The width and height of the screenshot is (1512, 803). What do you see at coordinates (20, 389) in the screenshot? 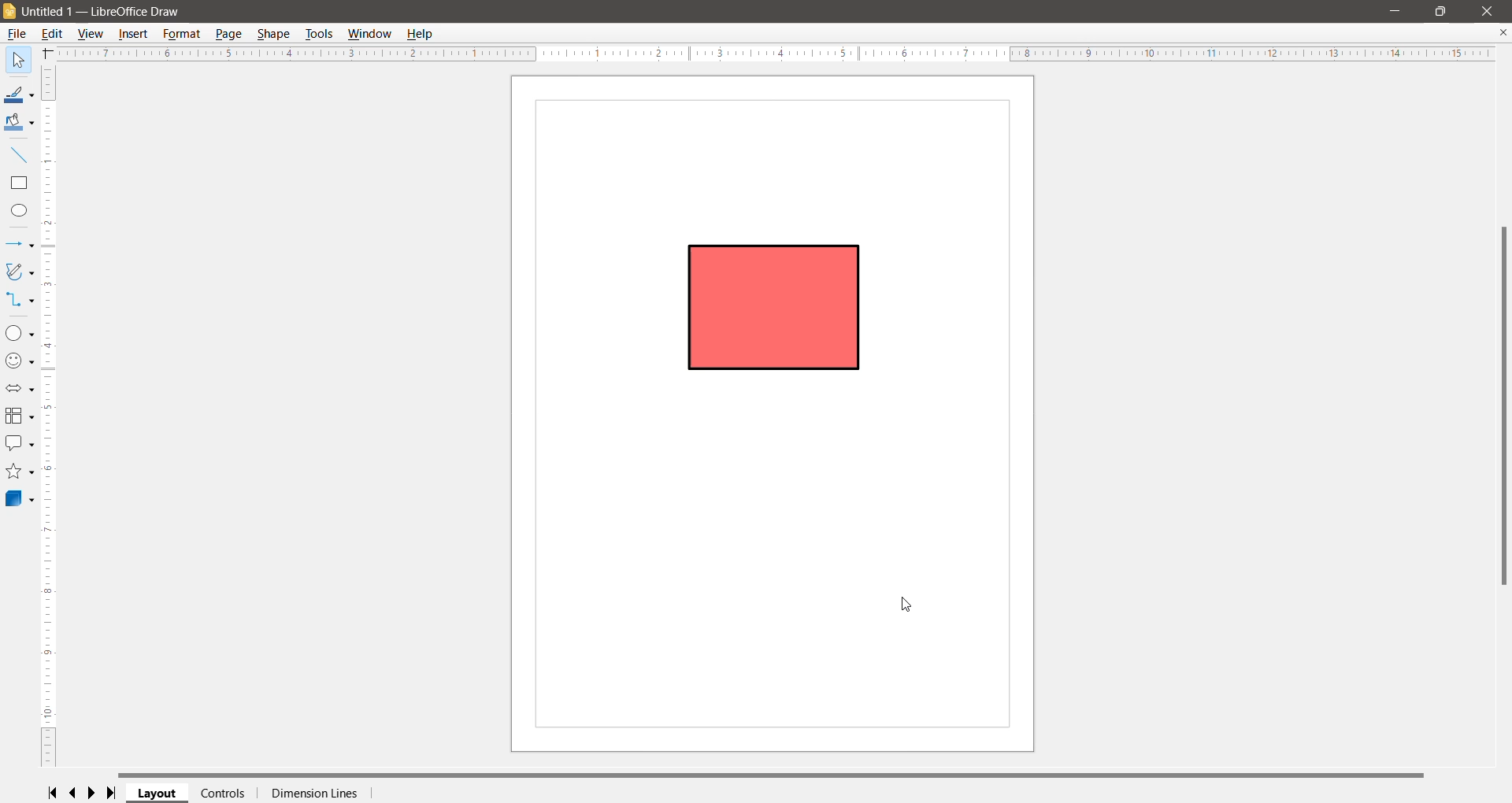
I see `Block Arrows` at bounding box center [20, 389].